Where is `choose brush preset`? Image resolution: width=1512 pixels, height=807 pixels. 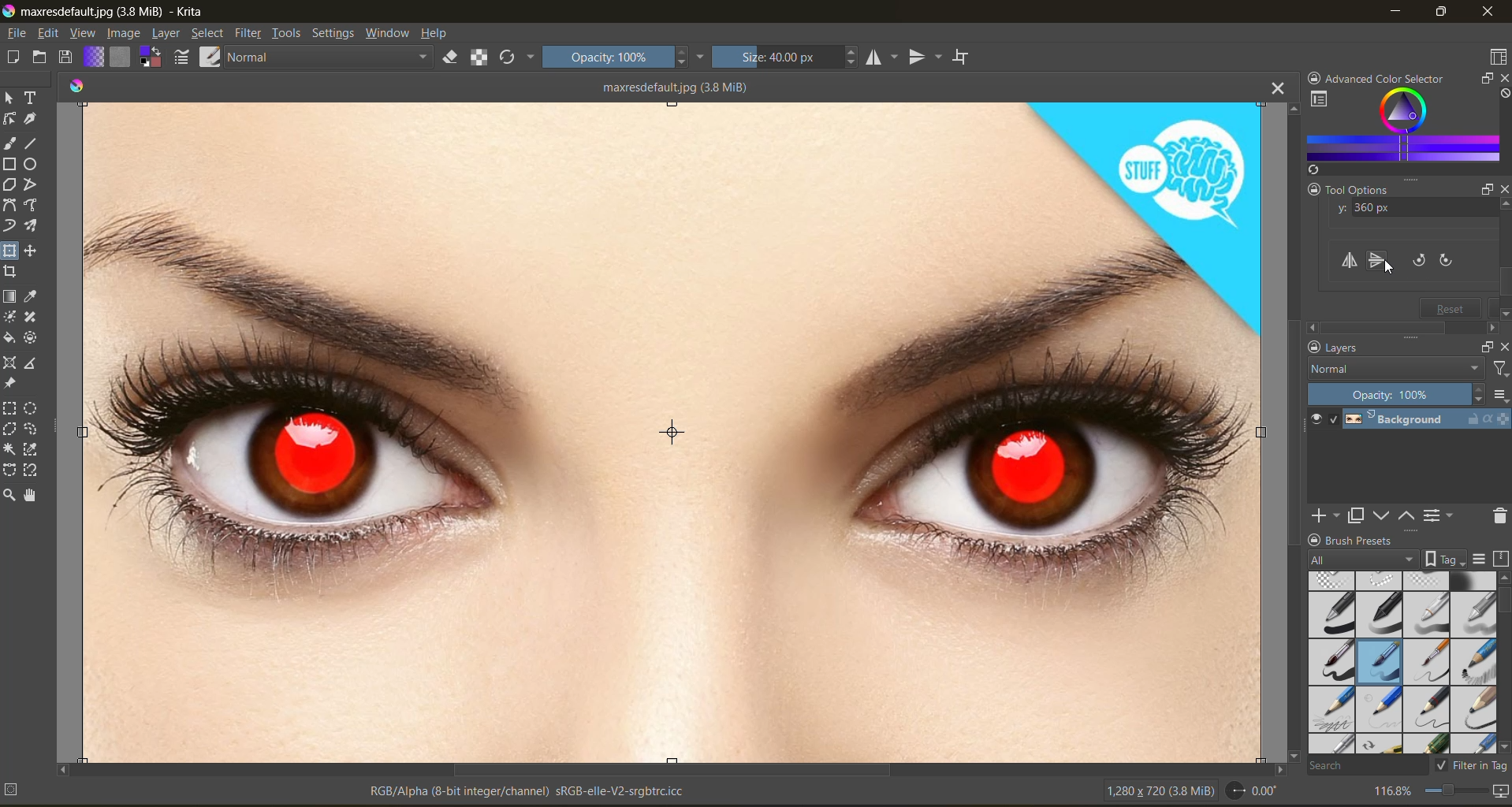
choose brush preset is located at coordinates (209, 57).